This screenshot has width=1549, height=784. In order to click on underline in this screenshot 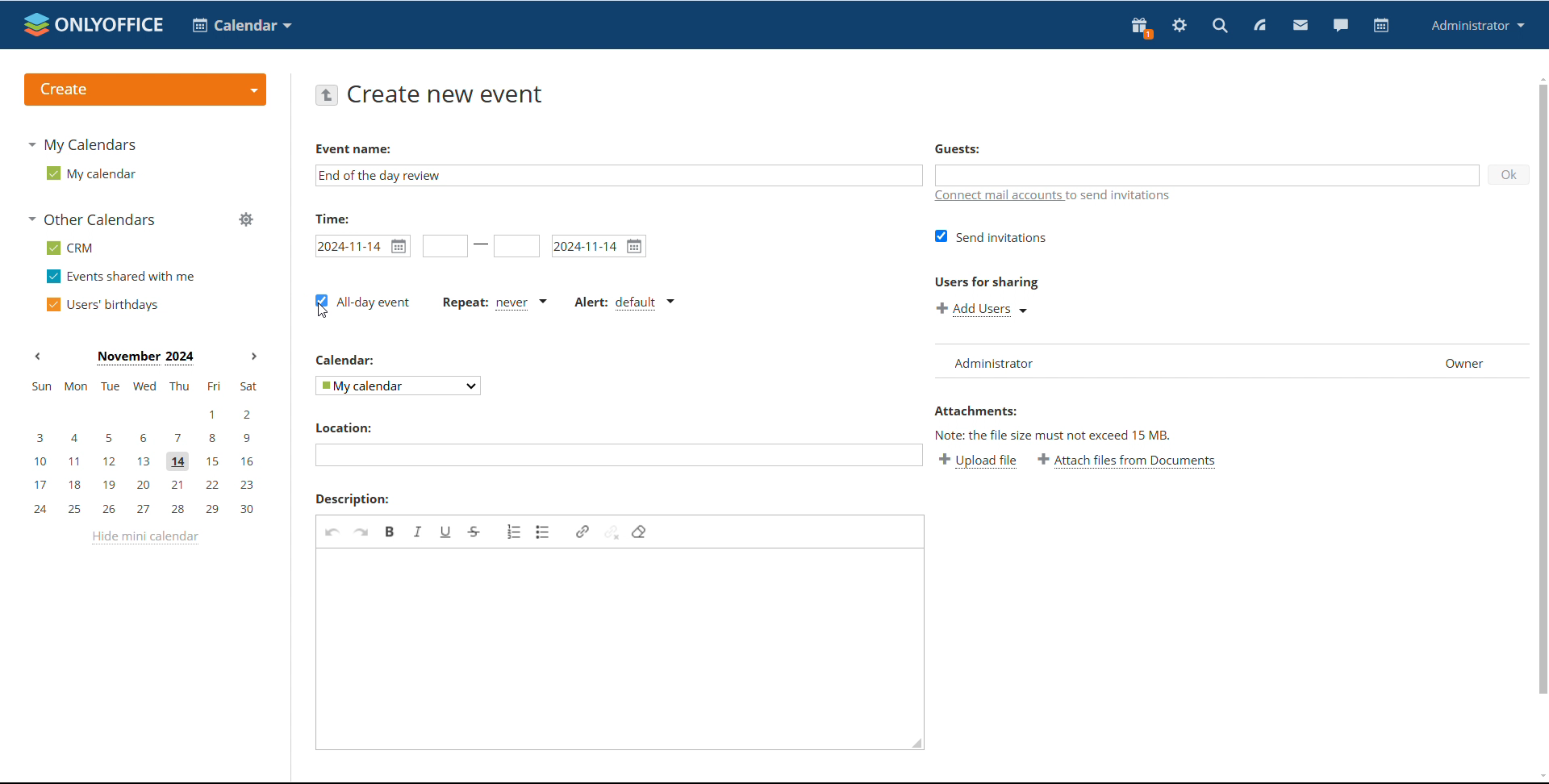, I will do `click(446, 532)`.